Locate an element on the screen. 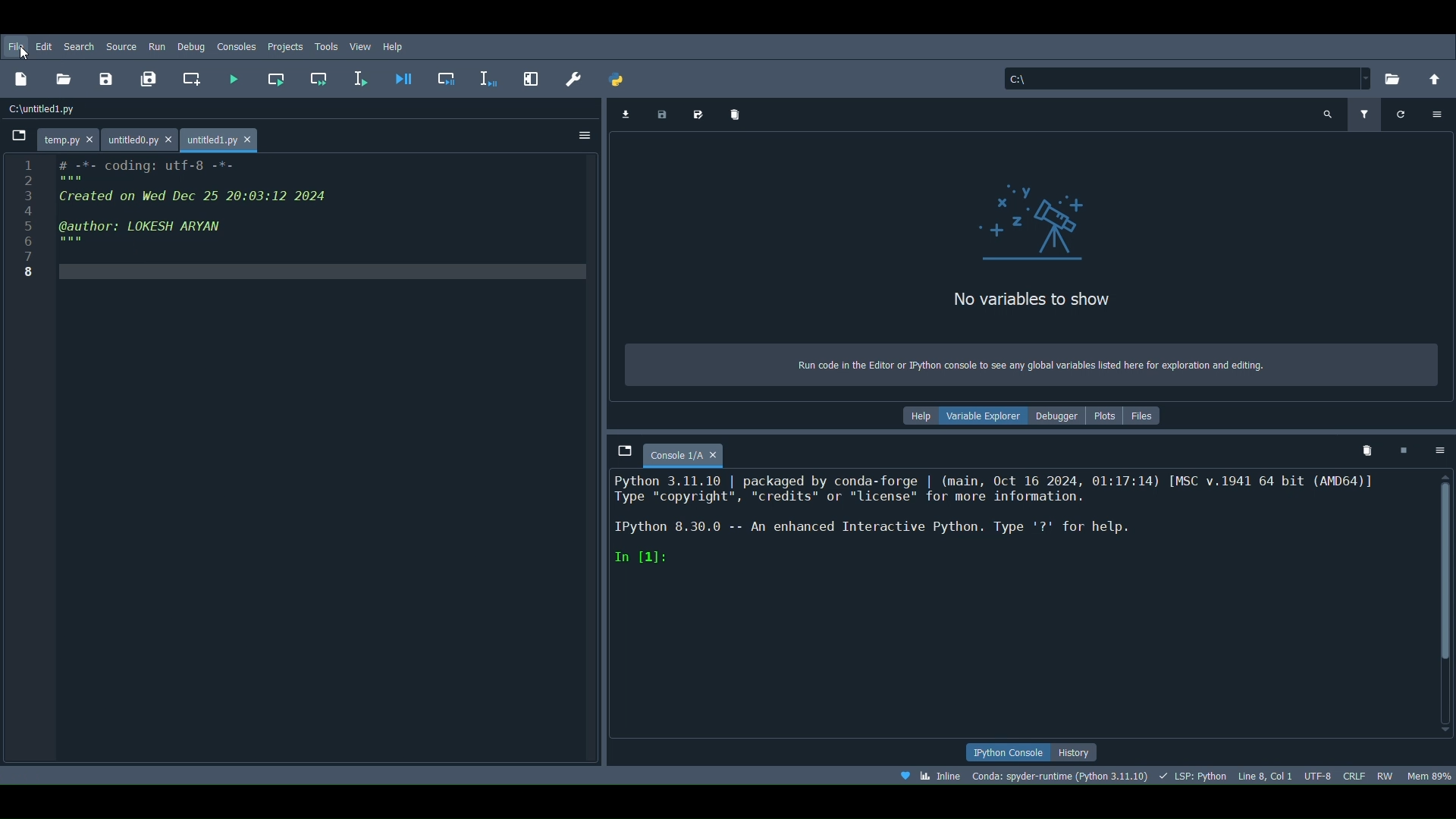  Preferences is located at coordinates (574, 77).